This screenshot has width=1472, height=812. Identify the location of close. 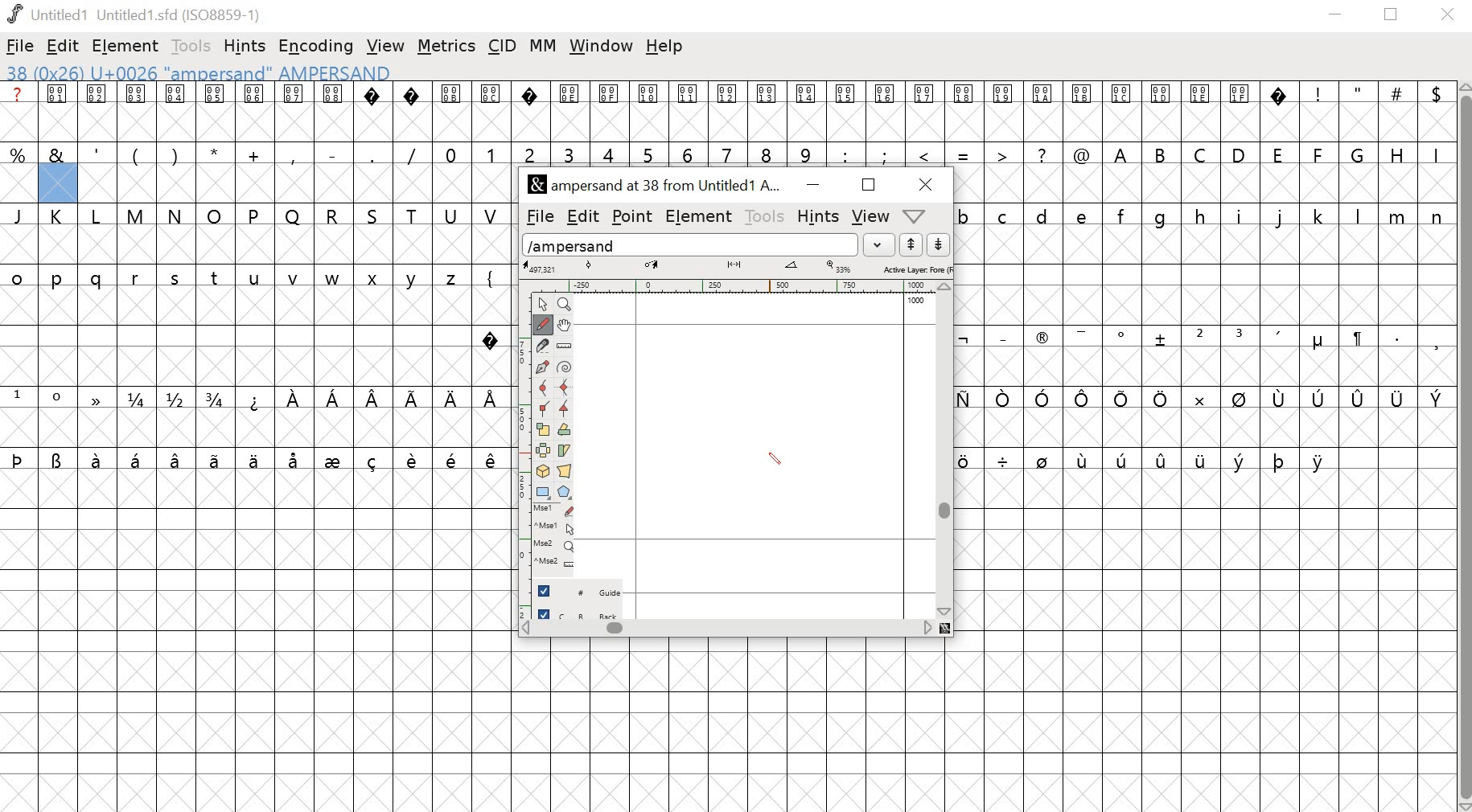
(1450, 15).